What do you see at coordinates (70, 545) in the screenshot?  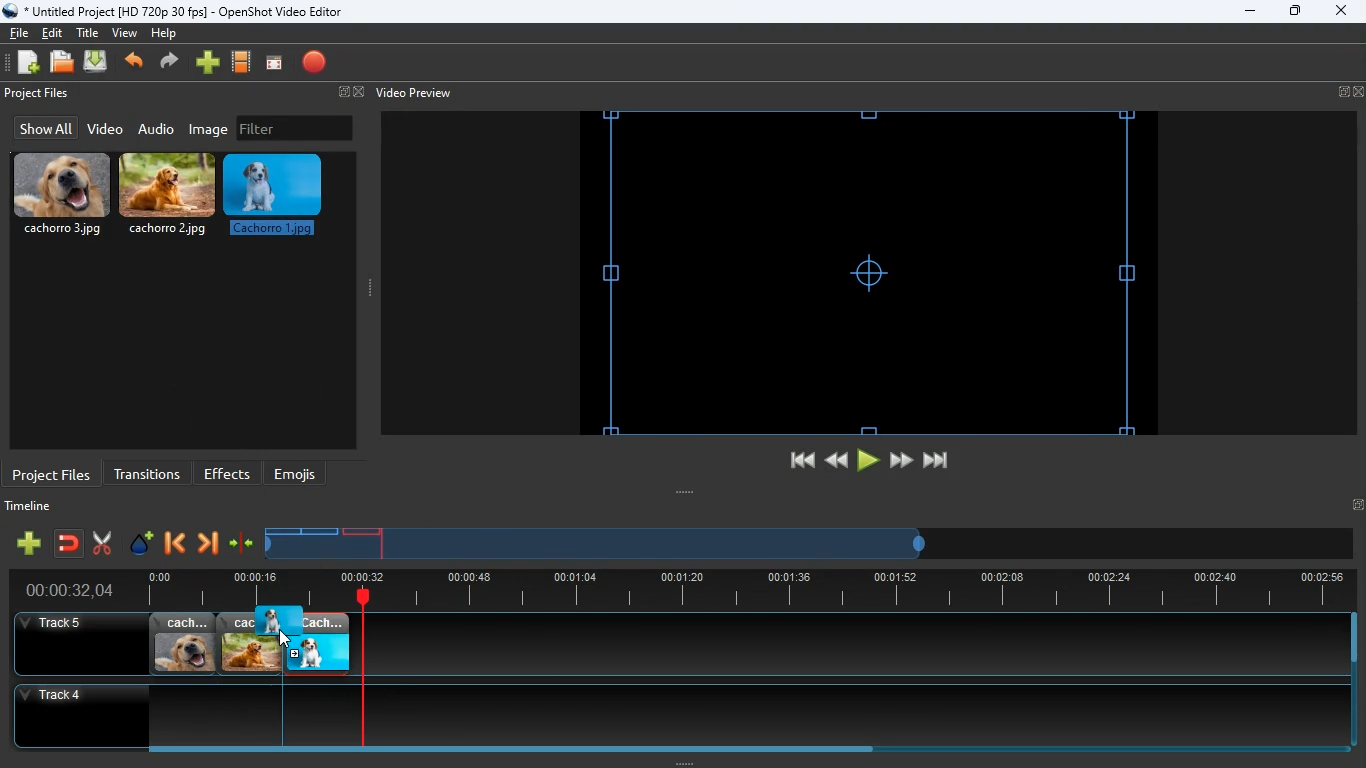 I see `join` at bounding box center [70, 545].